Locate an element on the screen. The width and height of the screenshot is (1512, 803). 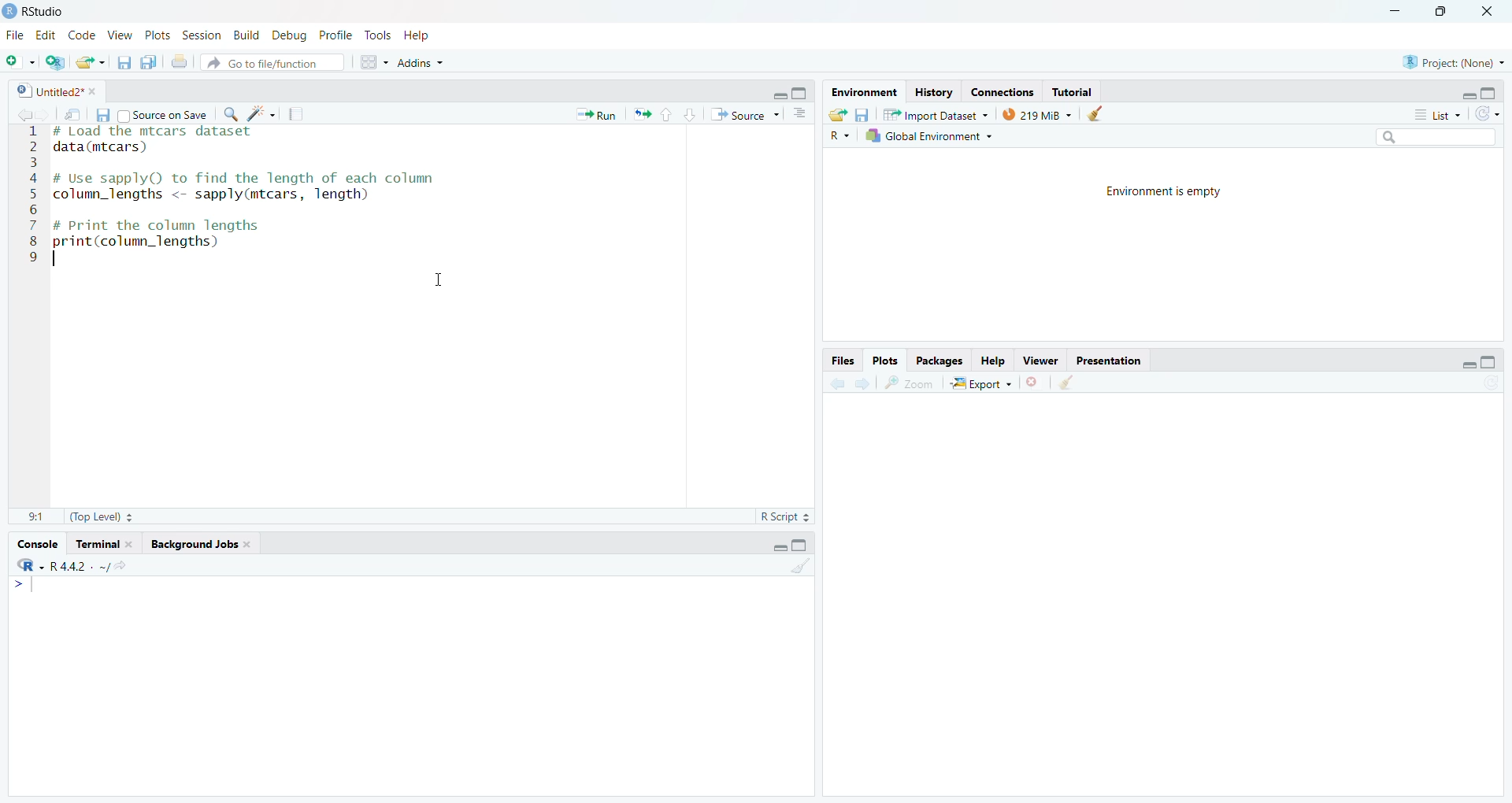
Profile is located at coordinates (337, 35).